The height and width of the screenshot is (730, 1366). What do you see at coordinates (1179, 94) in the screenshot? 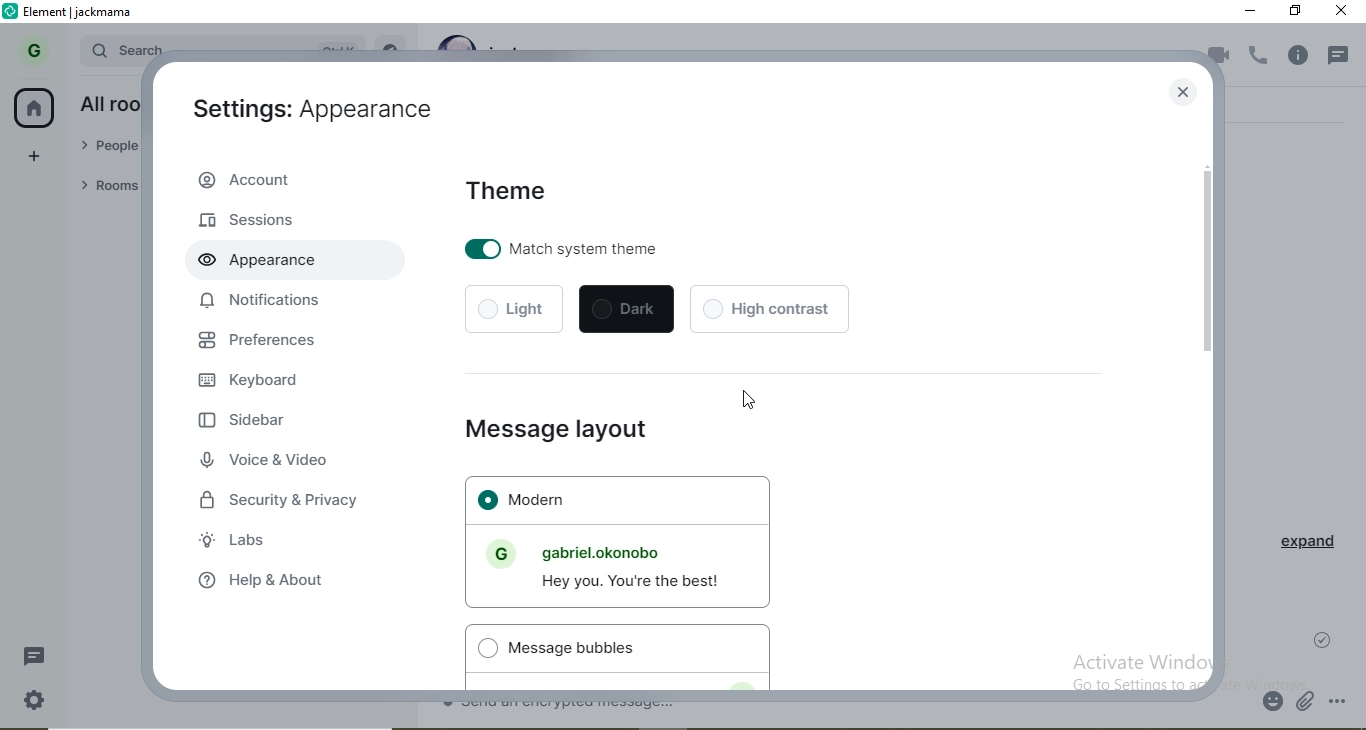
I see `close` at bounding box center [1179, 94].